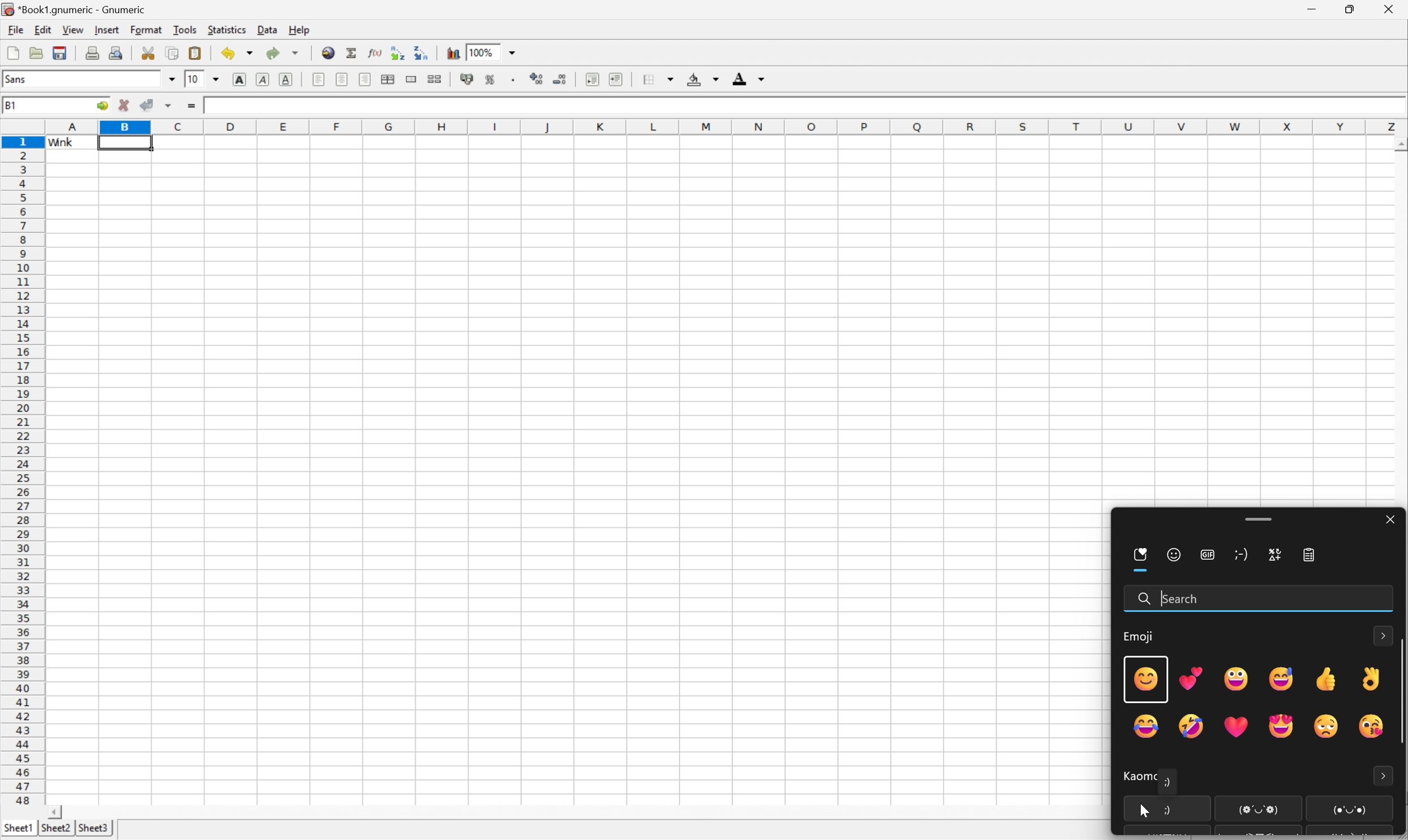 This screenshot has width=1408, height=840. What do you see at coordinates (93, 828) in the screenshot?
I see `sheet3` at bounding box center [93, 828].